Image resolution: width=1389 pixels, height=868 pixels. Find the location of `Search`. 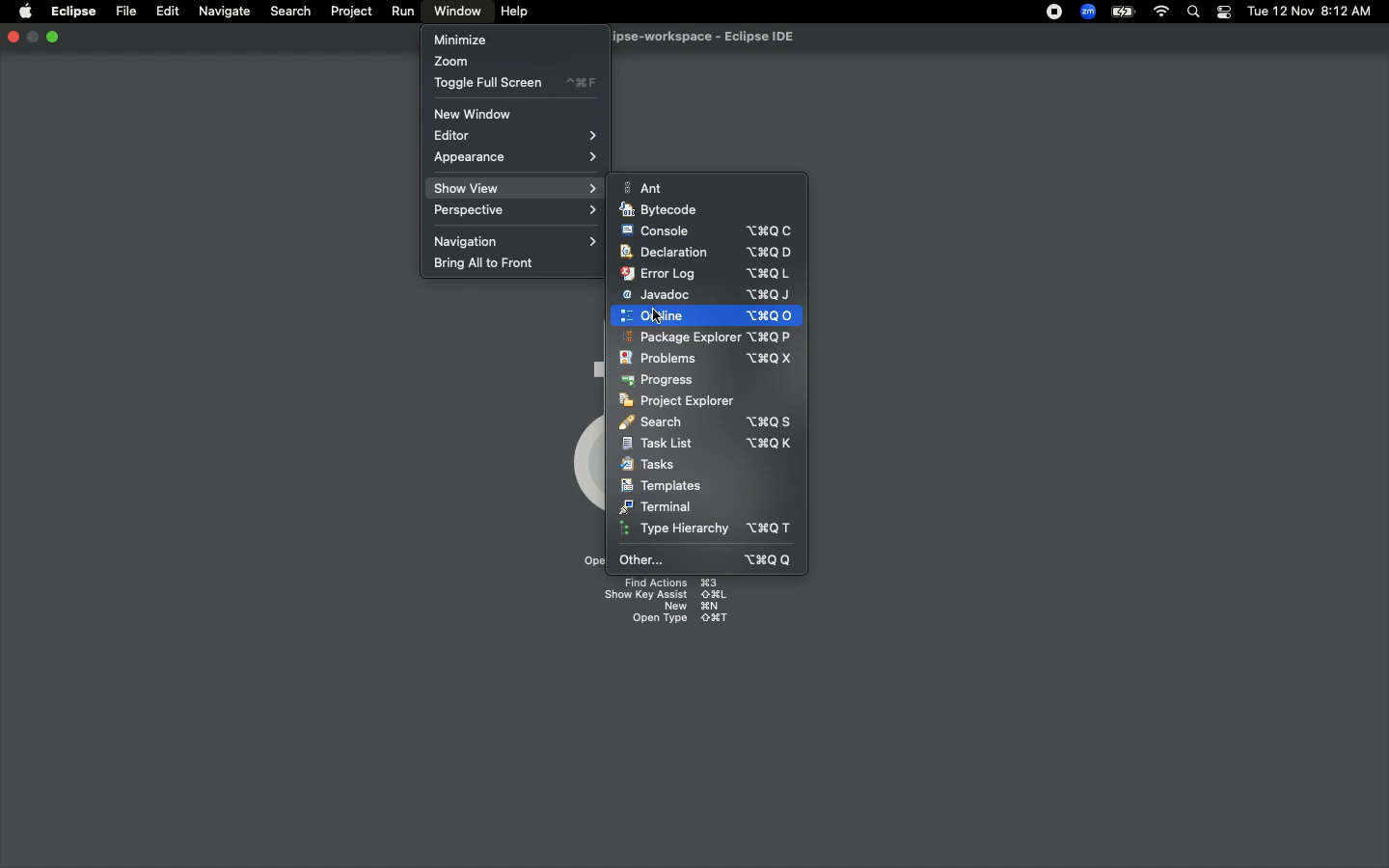

Search is located at coordinates (1195, 13).